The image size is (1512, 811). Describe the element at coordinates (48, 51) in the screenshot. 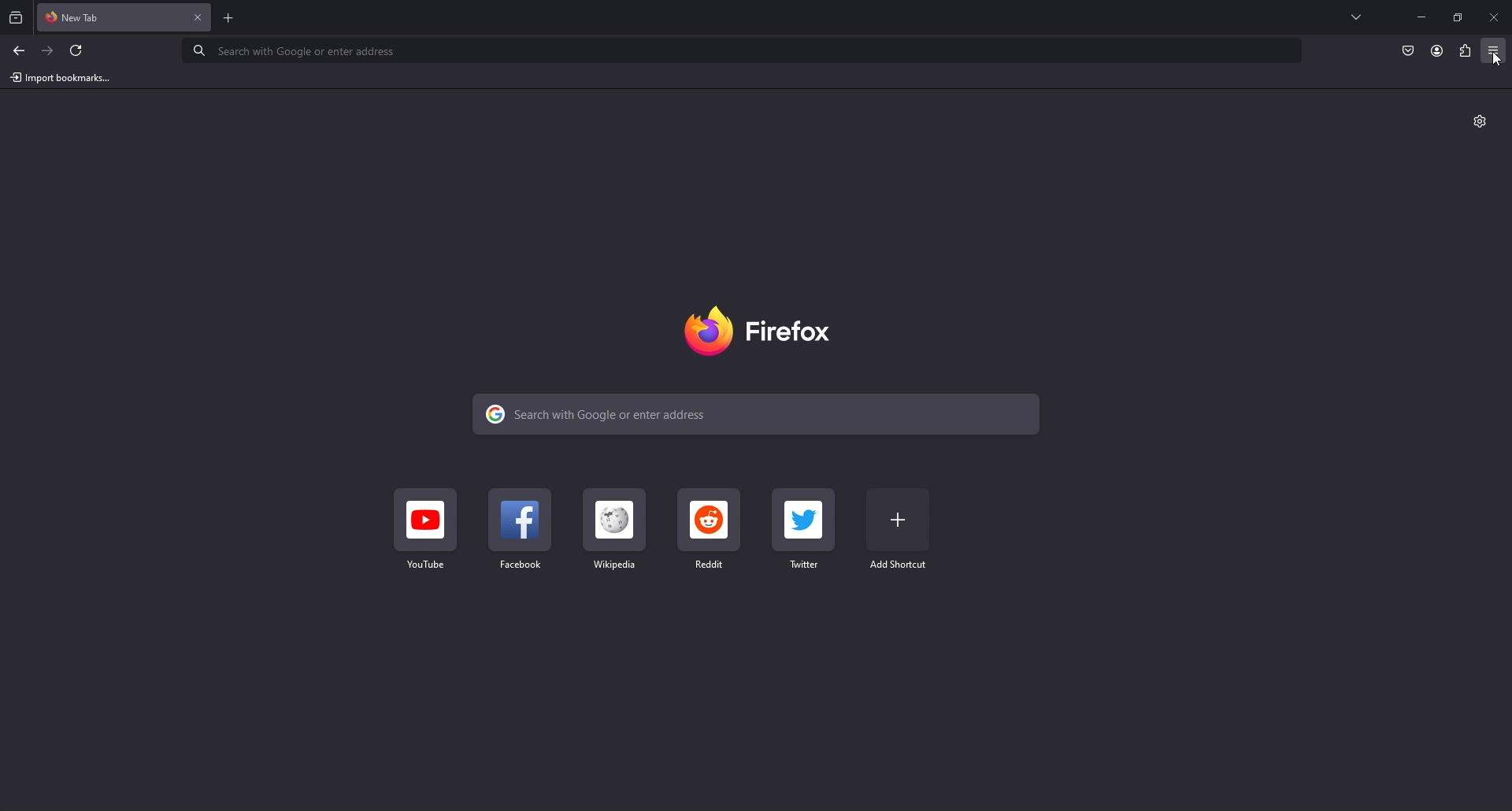

I see `forward` at that location.